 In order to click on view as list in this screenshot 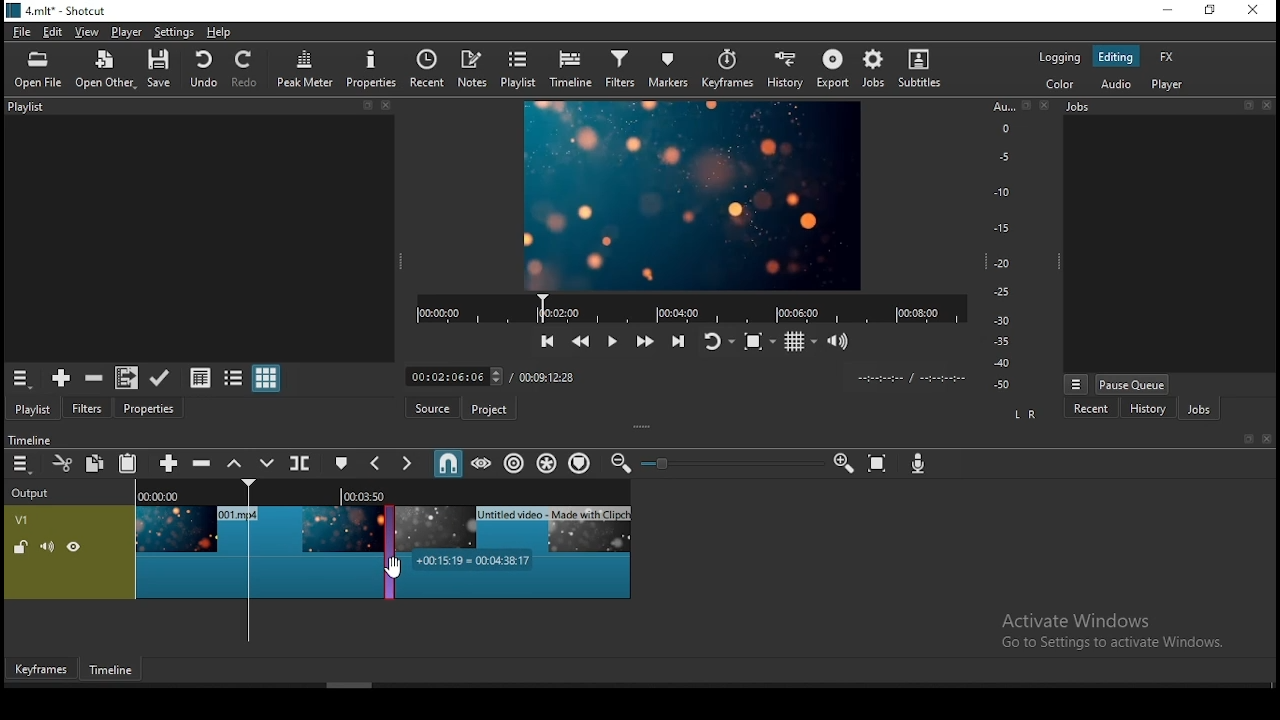, I will do `click(235, 377)`.